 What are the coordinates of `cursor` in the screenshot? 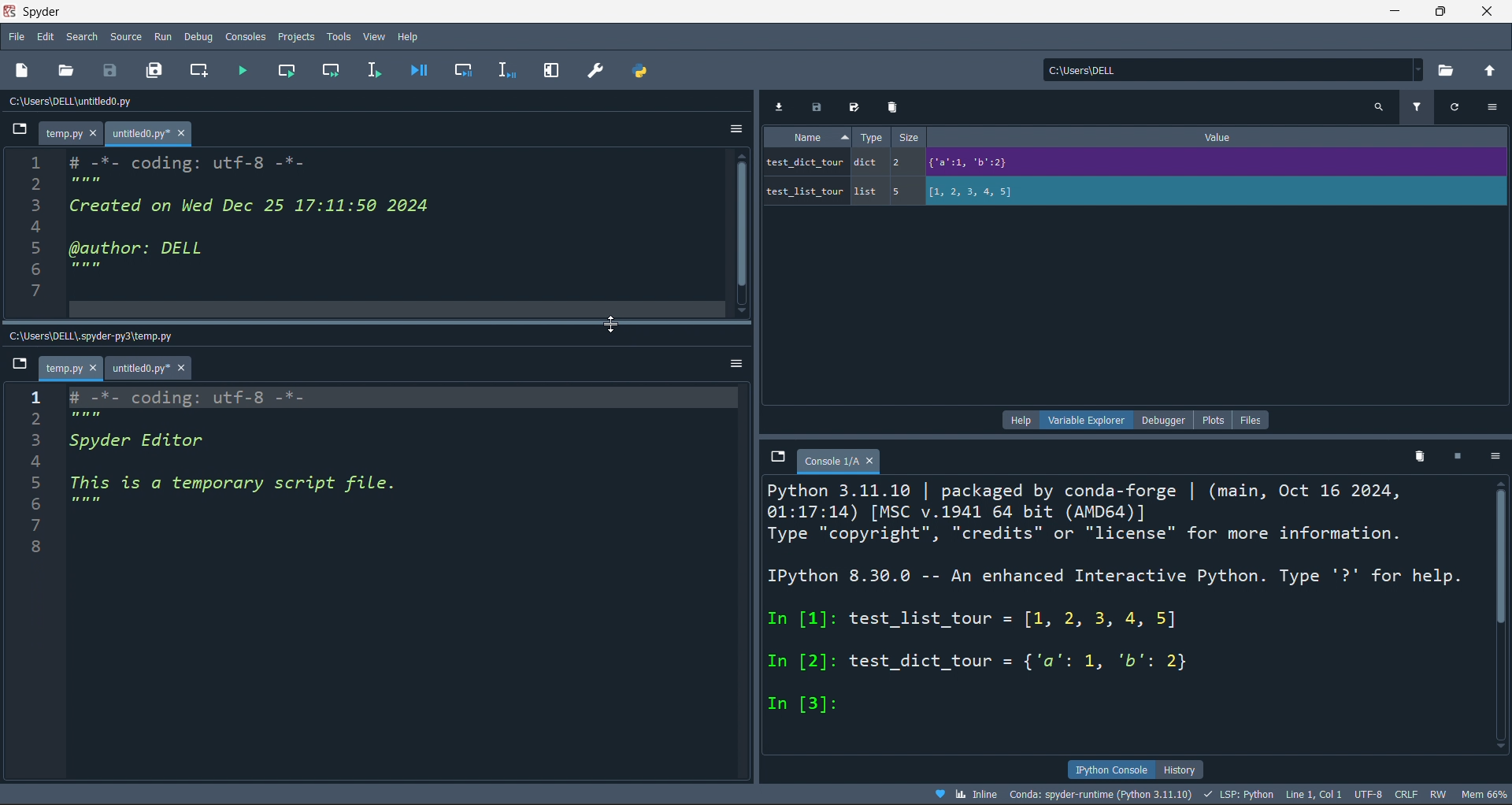 It's located at (613, 327).